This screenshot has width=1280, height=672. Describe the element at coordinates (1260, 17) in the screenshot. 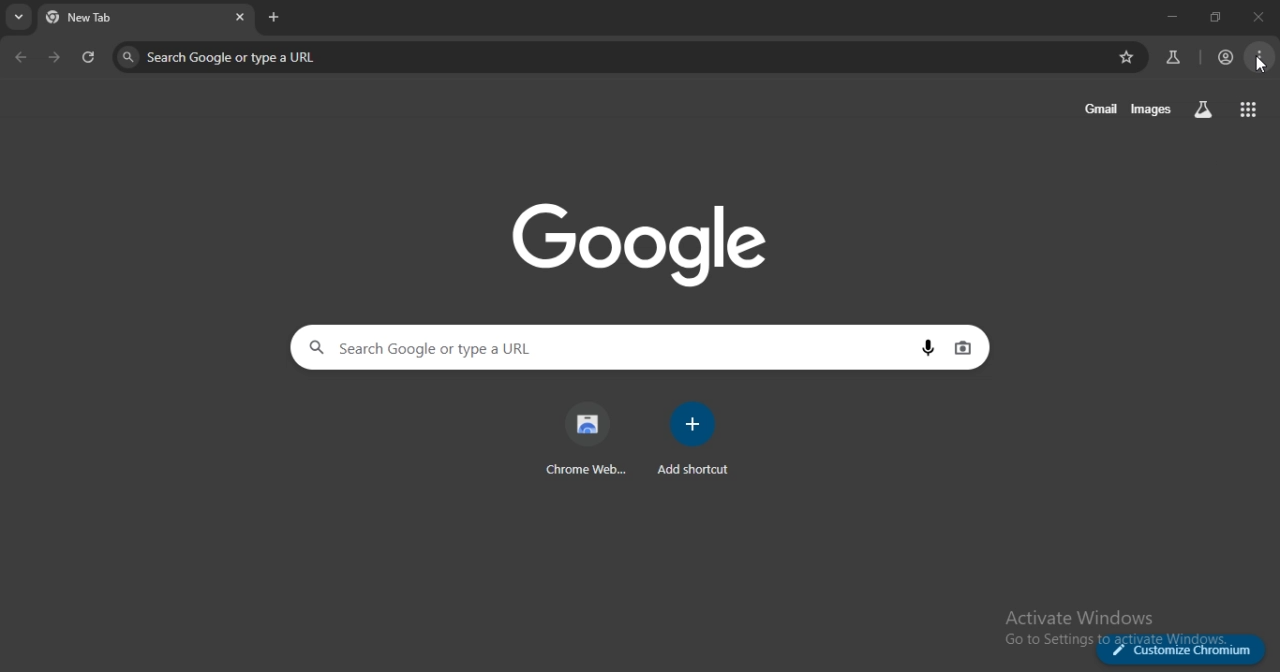

I see `close tab` at that location.